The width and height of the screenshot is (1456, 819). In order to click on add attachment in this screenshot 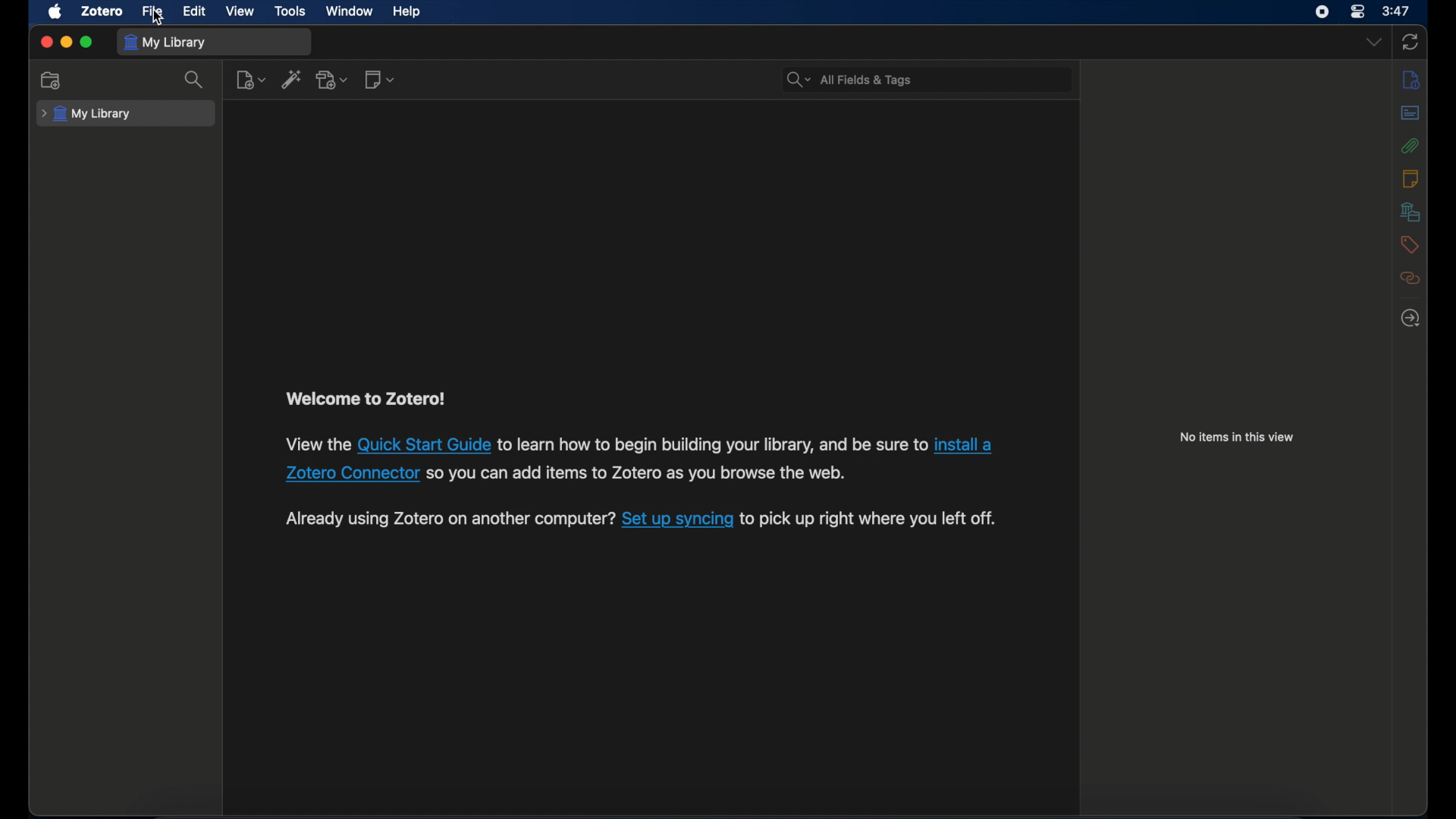, I will do `click(333, 80)`.